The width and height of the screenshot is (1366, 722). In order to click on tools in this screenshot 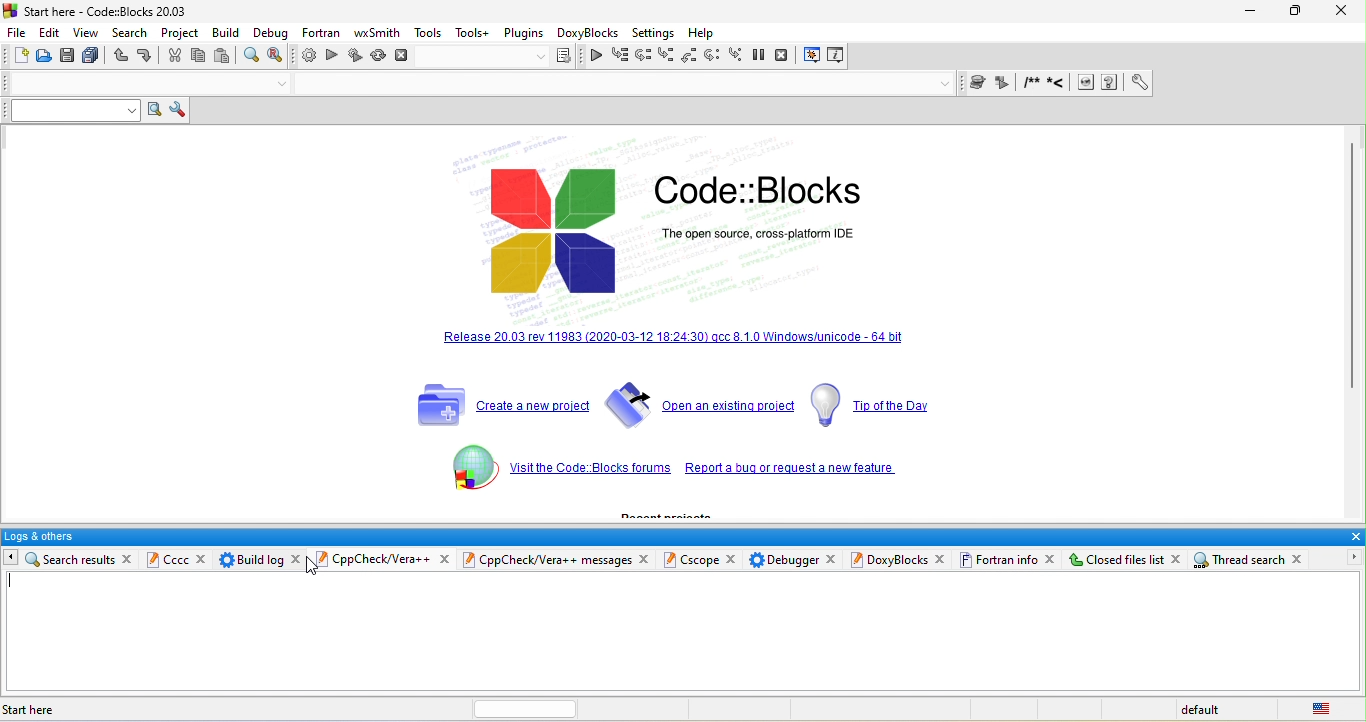, I will do `click(428, 34)`.